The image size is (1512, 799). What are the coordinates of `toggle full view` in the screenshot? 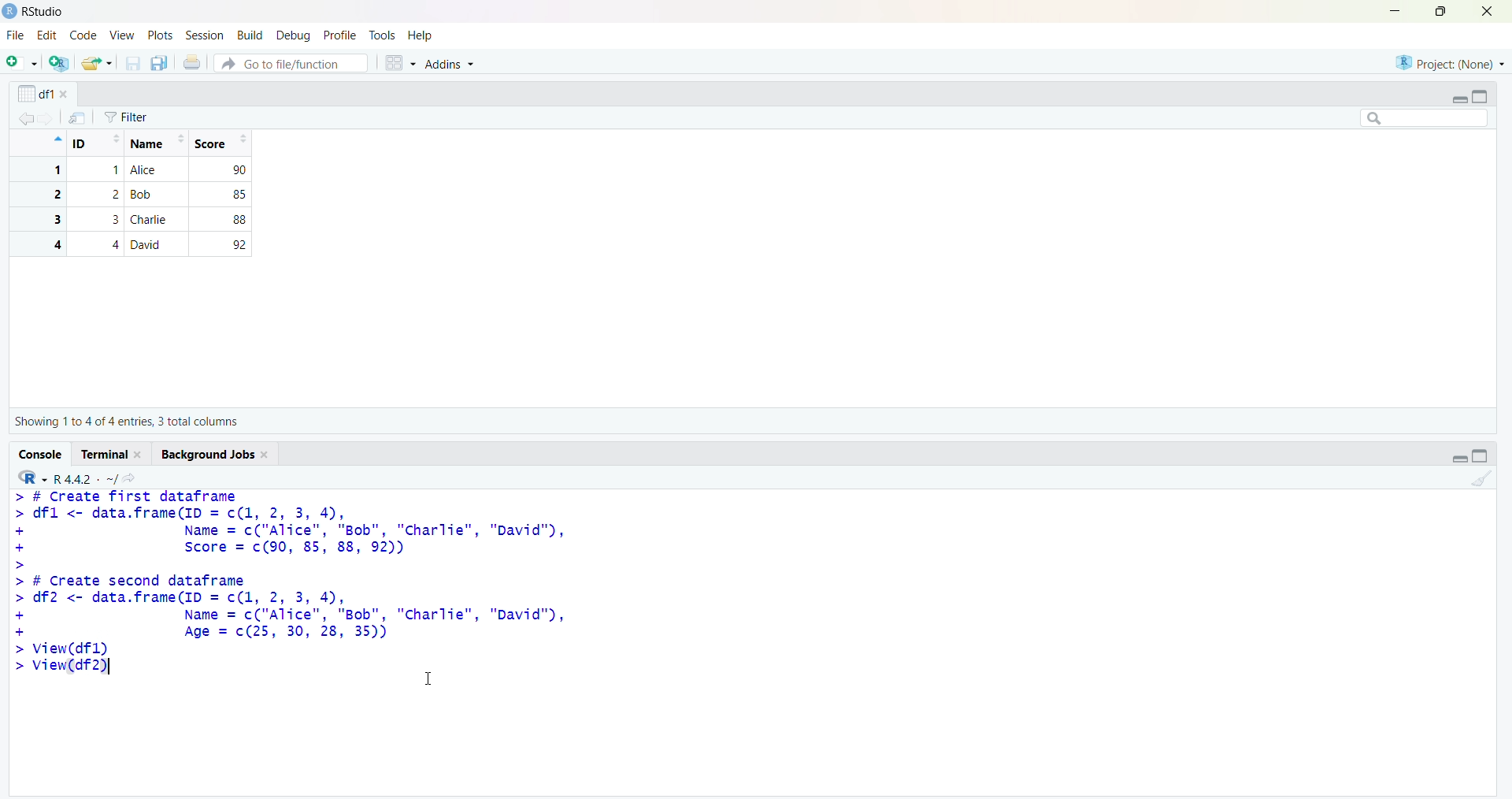 It's located at (1480, 455).